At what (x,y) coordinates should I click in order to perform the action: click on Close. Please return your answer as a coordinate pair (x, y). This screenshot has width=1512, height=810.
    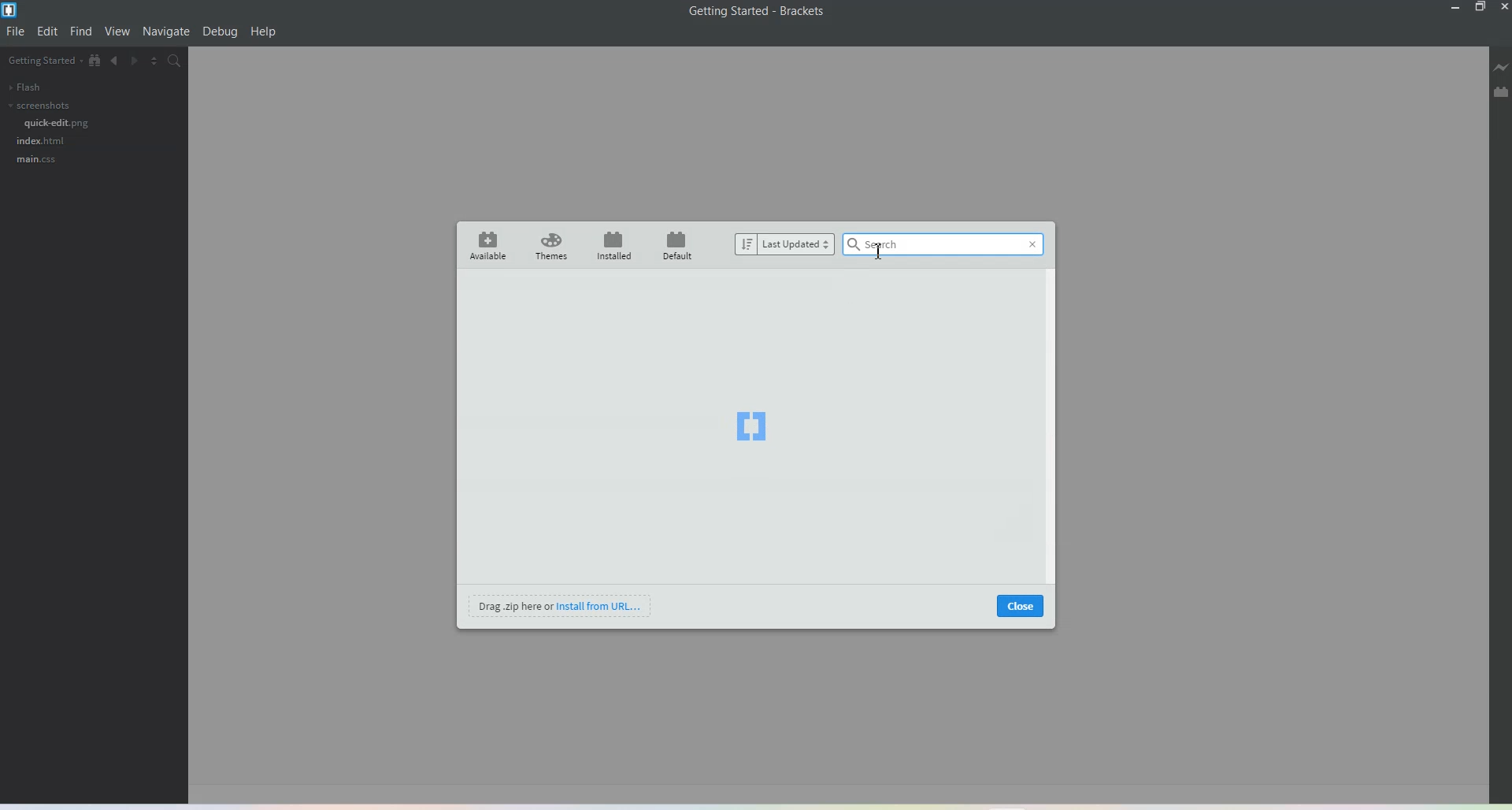
    Looking at the image, I should click on (1503, 7).